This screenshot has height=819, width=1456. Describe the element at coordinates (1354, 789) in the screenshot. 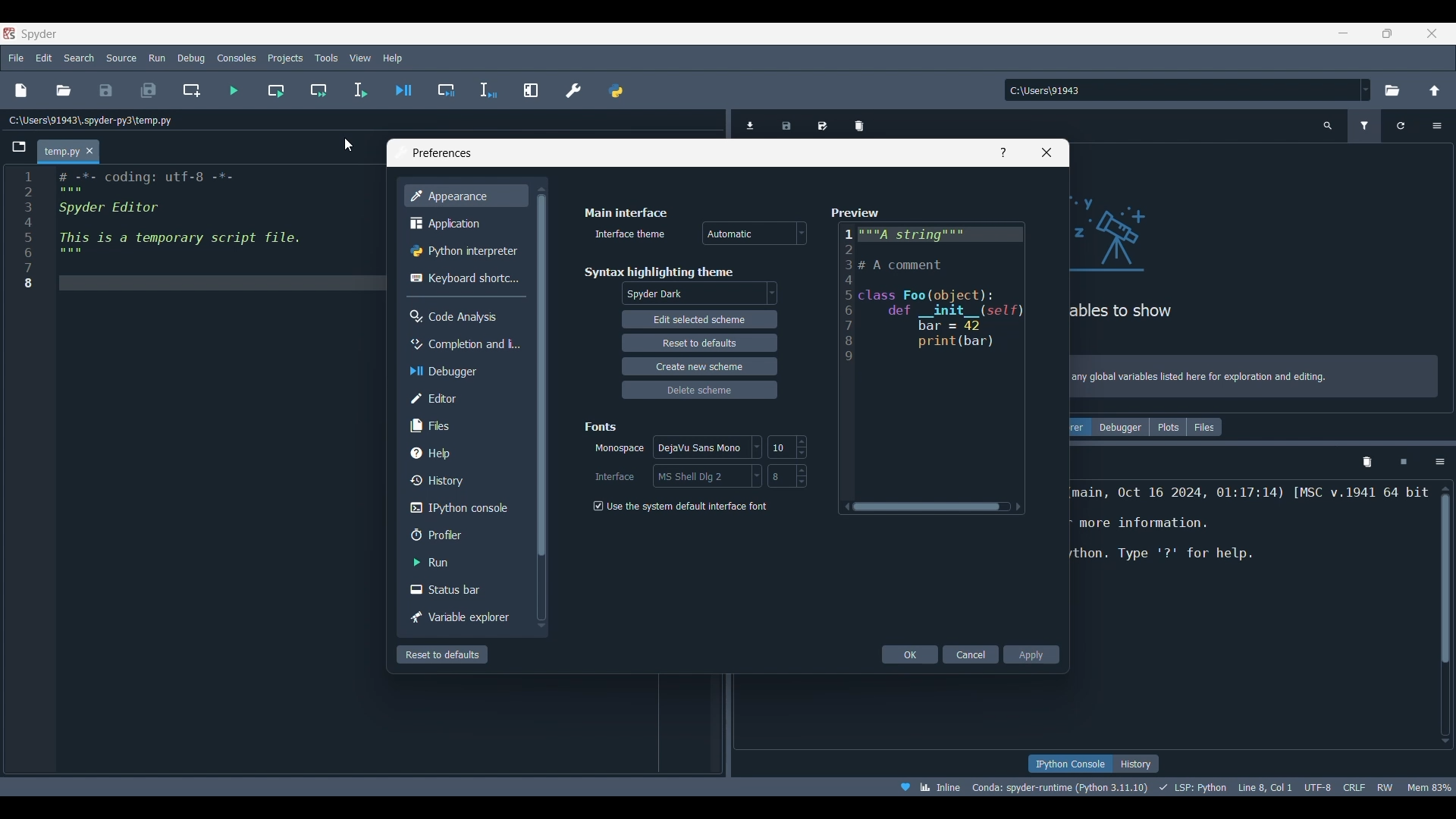

I see `CRLF` at that location.